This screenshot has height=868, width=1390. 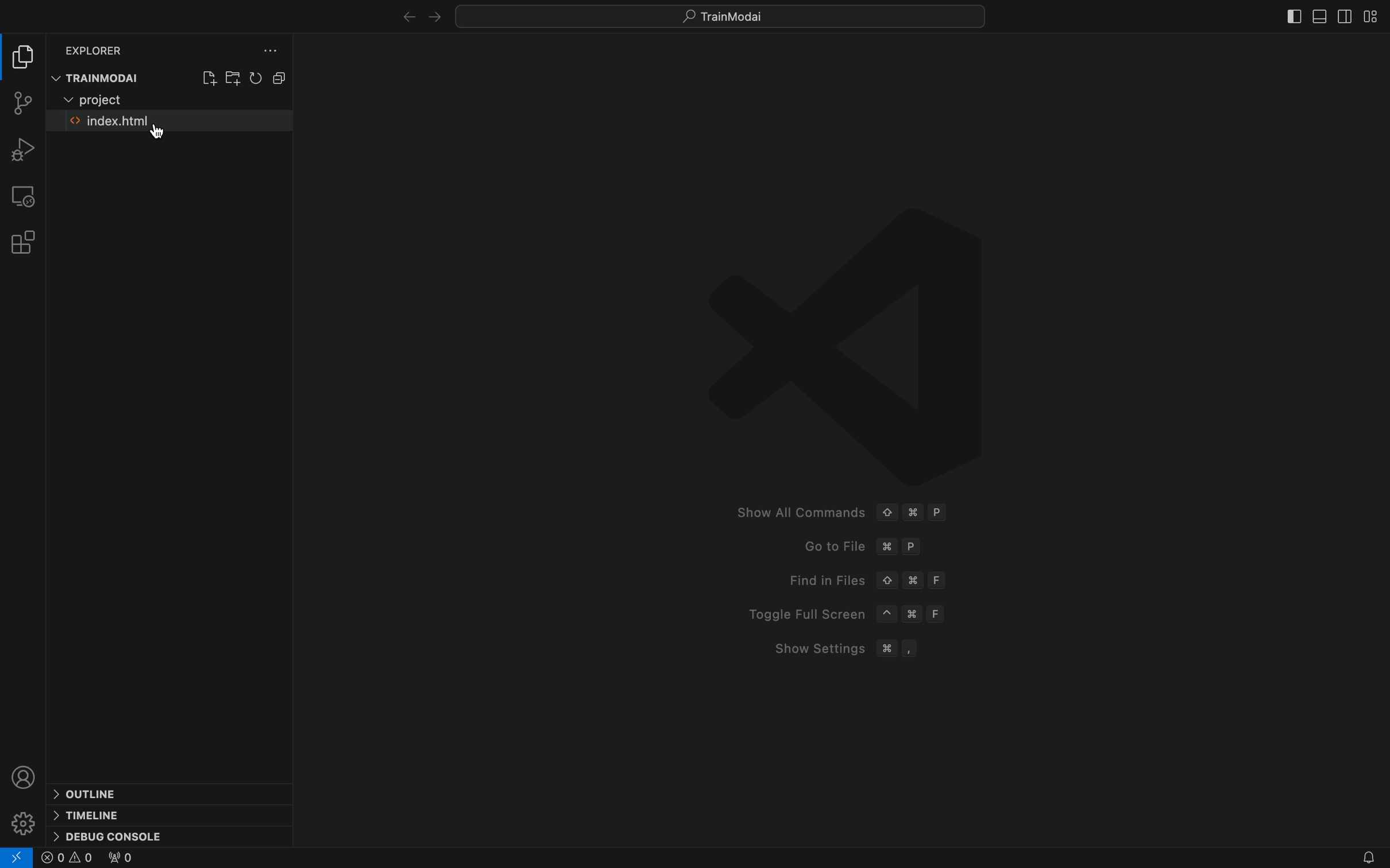 What do you see at coordinates (1371, 14) in the screenshot?
I see `layouts` at bounding box center [1371, 14].